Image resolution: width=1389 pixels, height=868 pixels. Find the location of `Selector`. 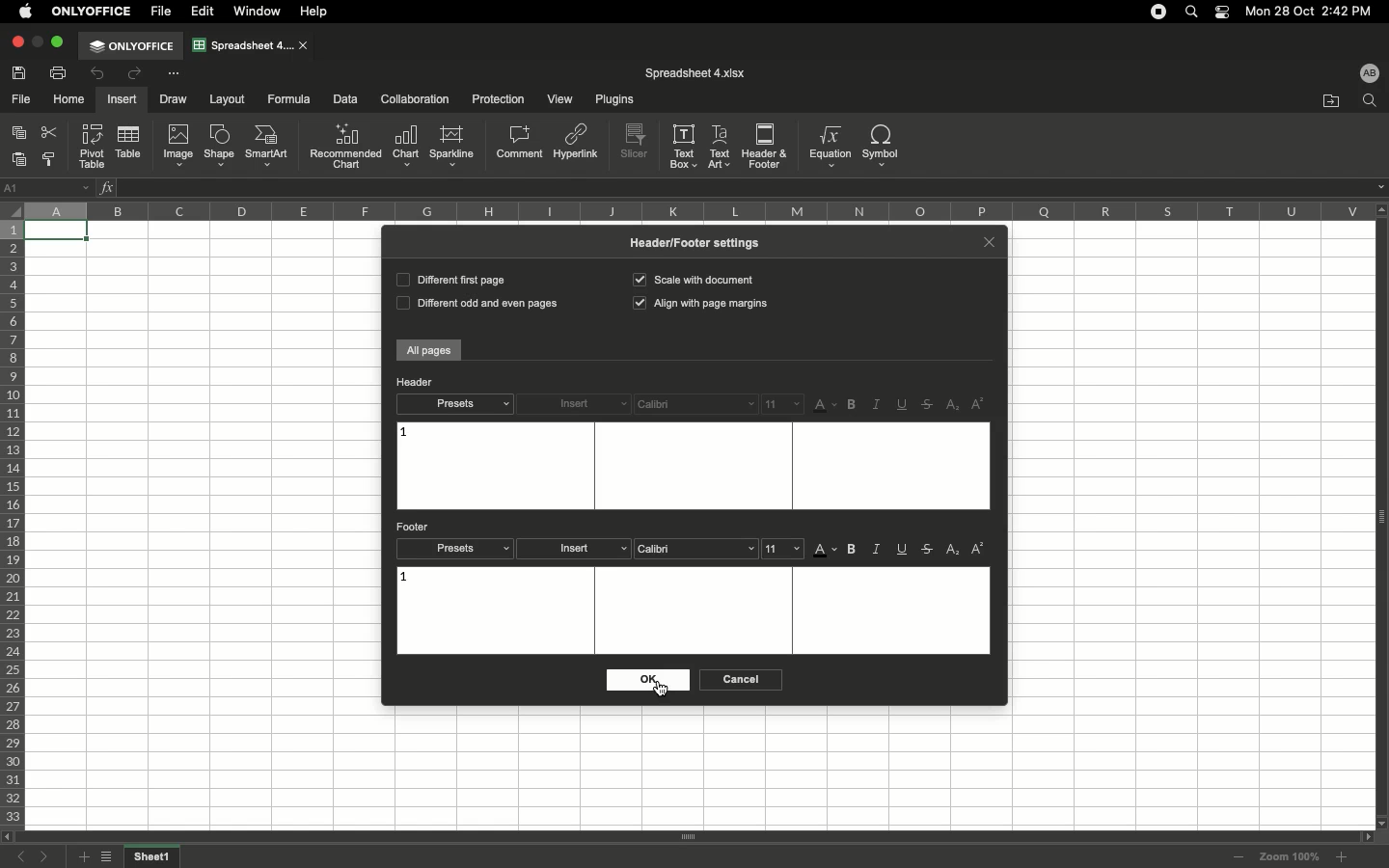

Selector is located at coordinates (11, 207).